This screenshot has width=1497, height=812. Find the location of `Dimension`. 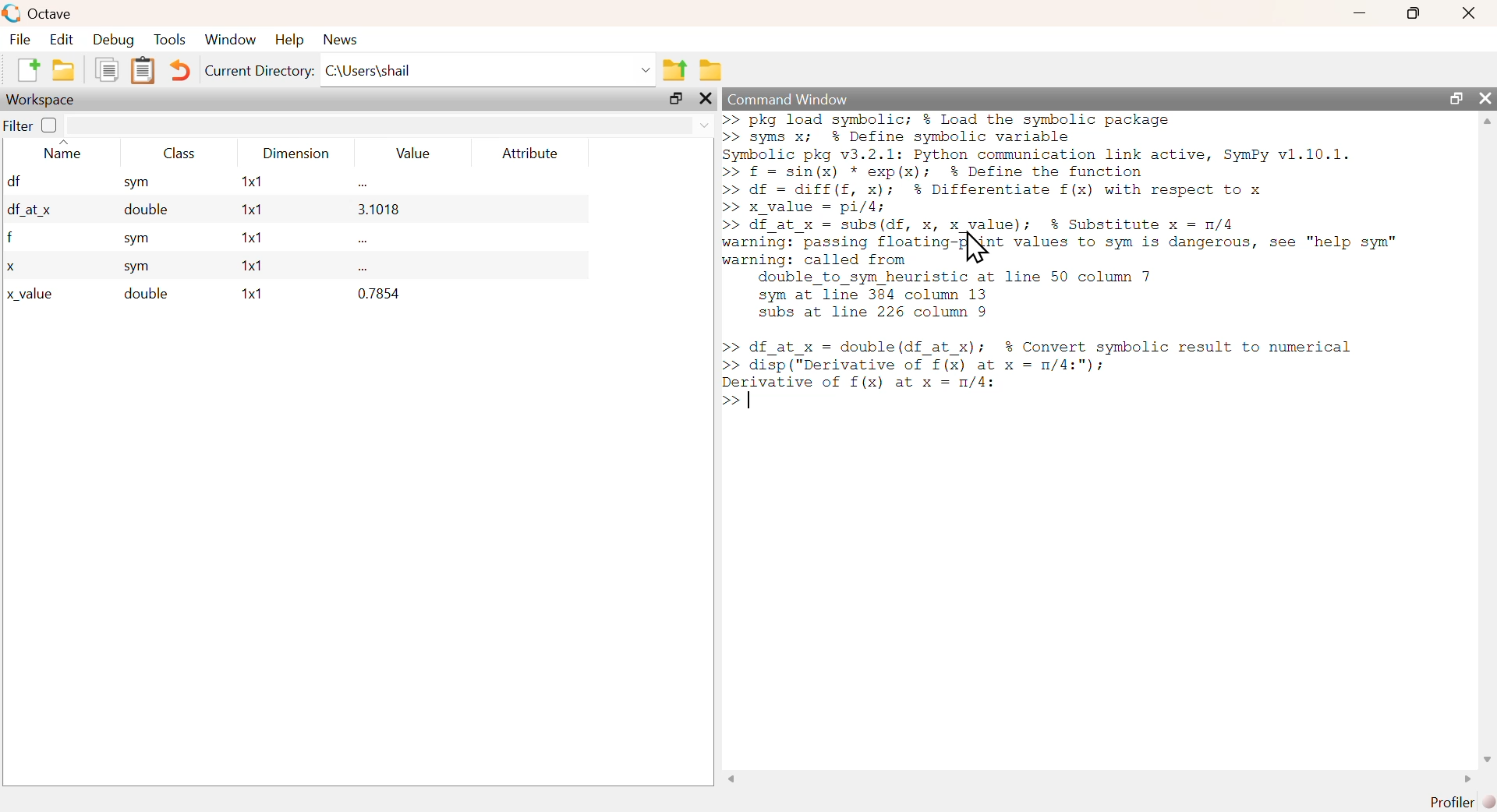

Dimension is located at coordinates (299, 154).